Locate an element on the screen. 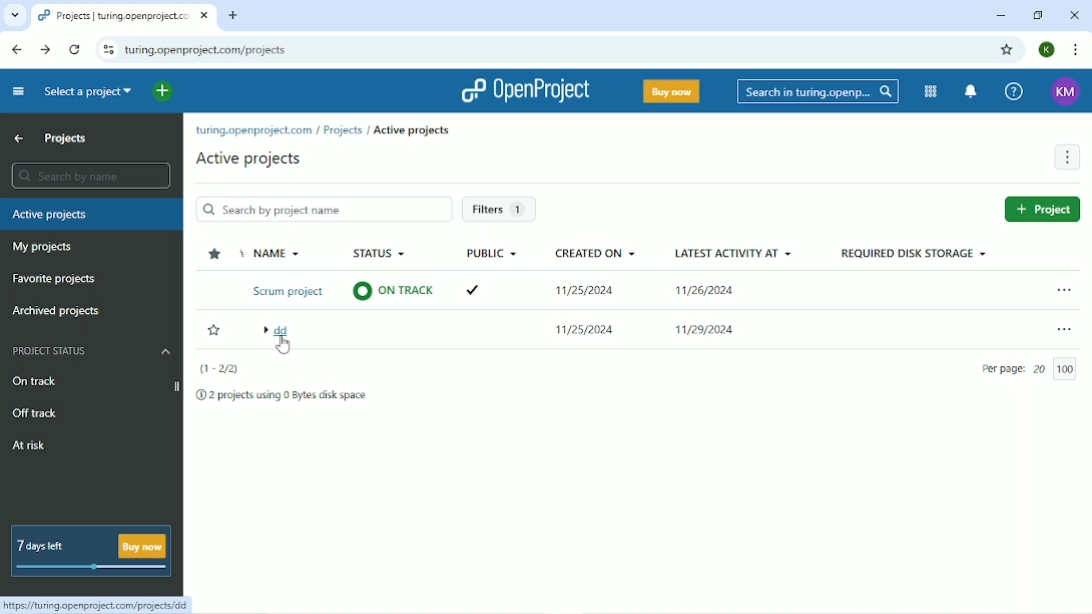 Image resolution: width=1092 pixels, height=614 pixels. Search by name is located at coordinates (90, 176).